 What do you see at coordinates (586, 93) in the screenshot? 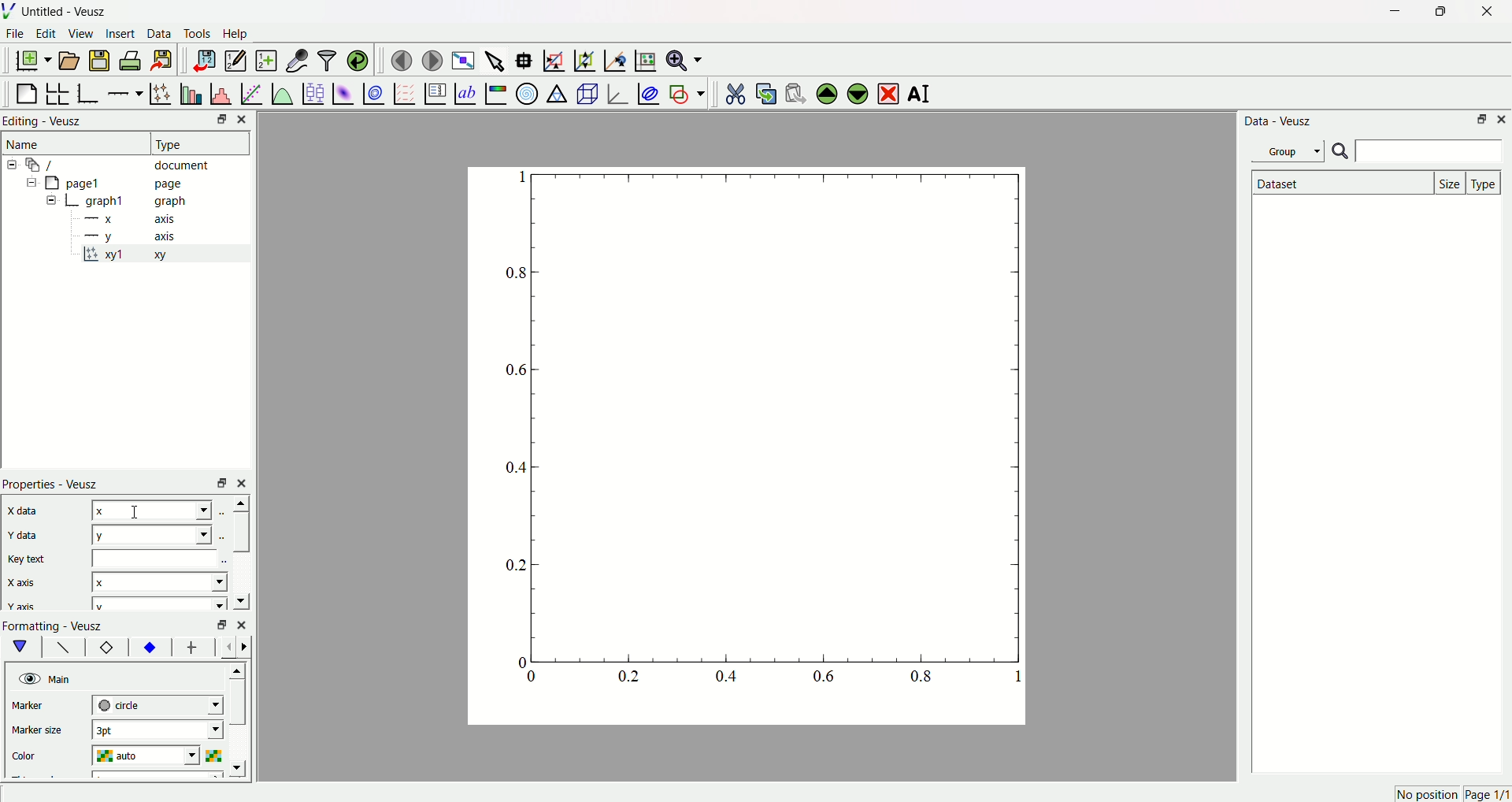
I see `3d scenes` at bounding box center [586, 93].